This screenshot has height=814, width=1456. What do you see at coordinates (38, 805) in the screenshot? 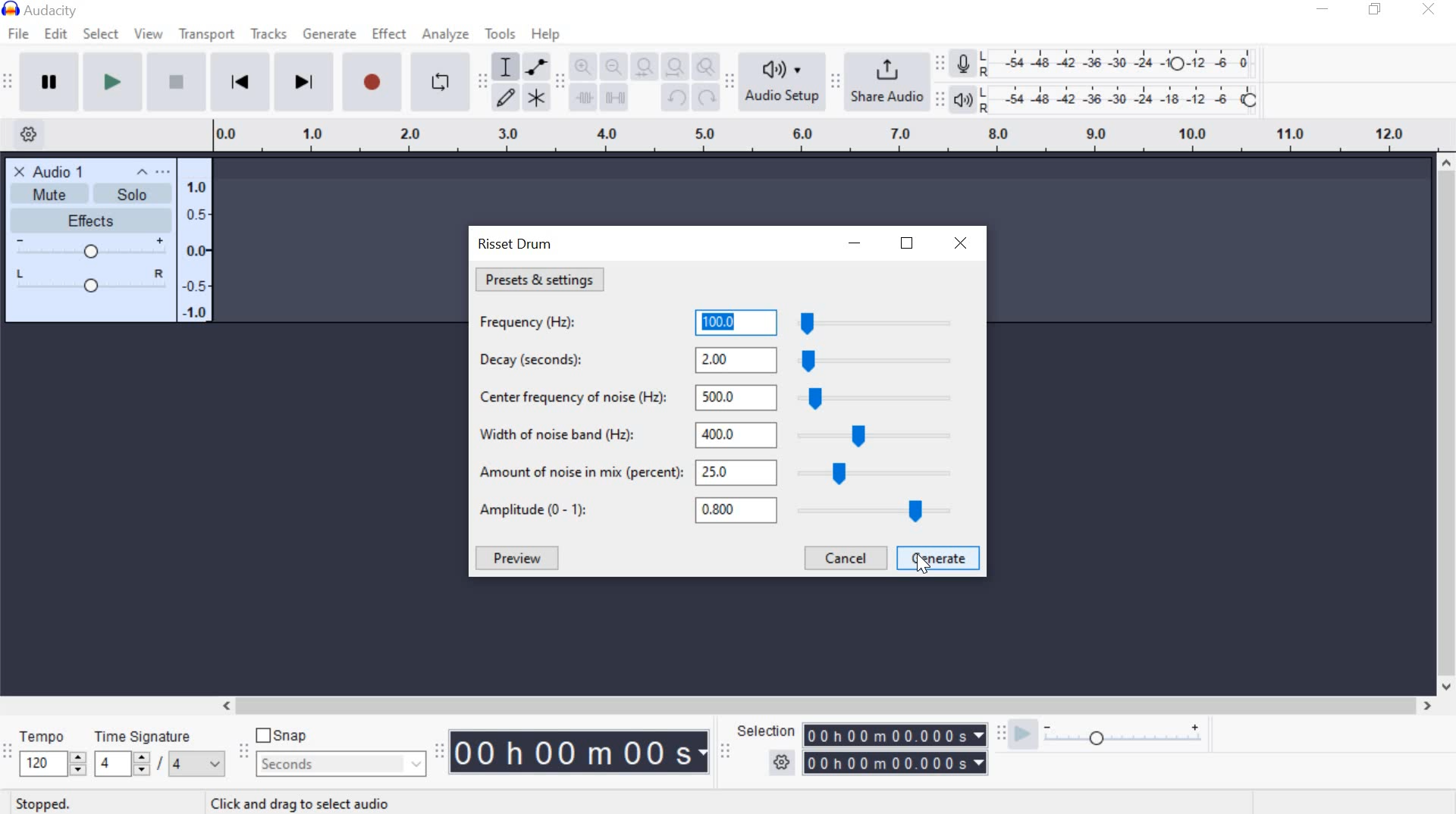
I see `stopped` at bounding box center [38, 805].